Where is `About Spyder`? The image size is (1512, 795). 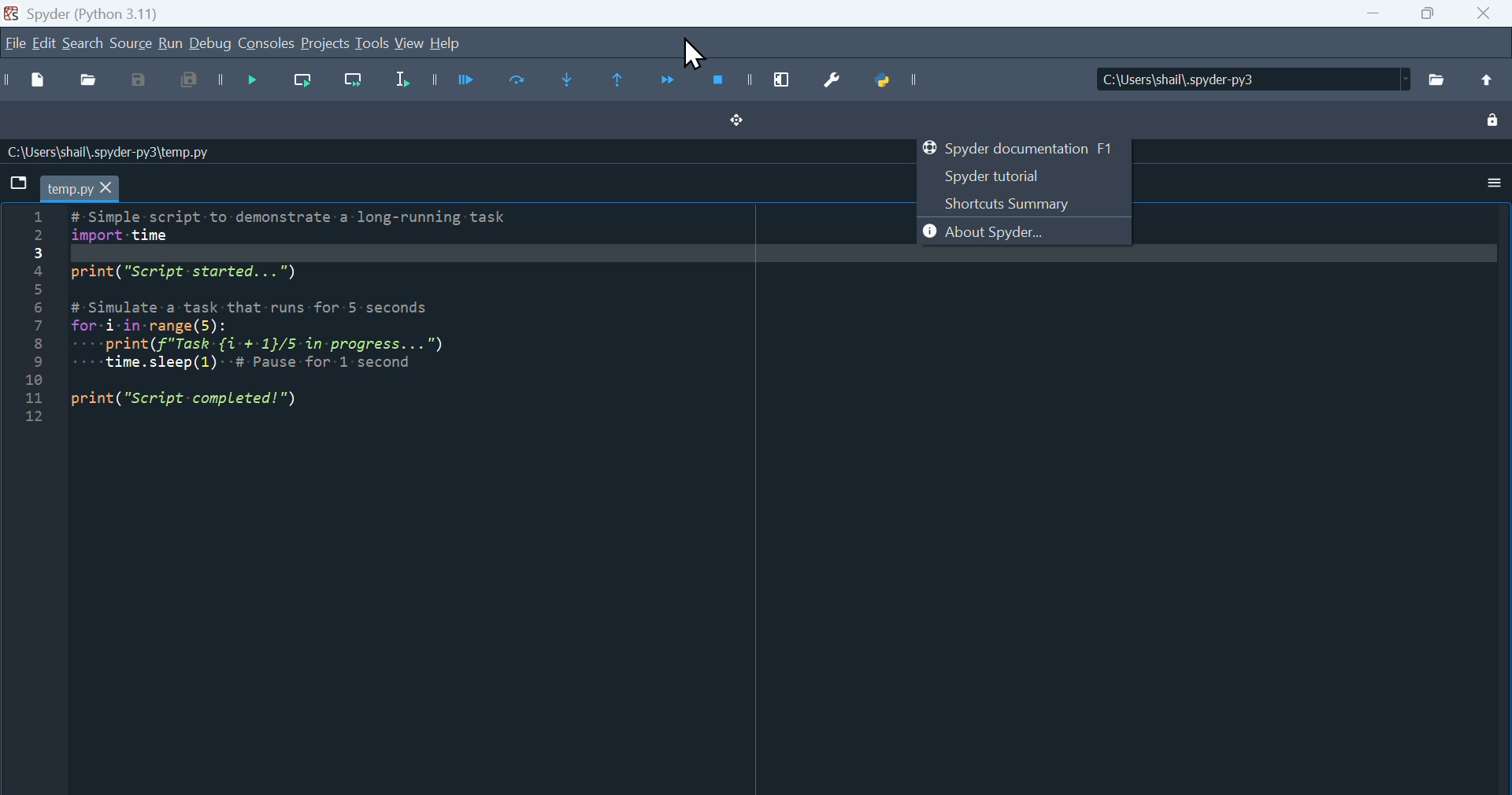 About Spyder is located at coordinates (1004, 235).